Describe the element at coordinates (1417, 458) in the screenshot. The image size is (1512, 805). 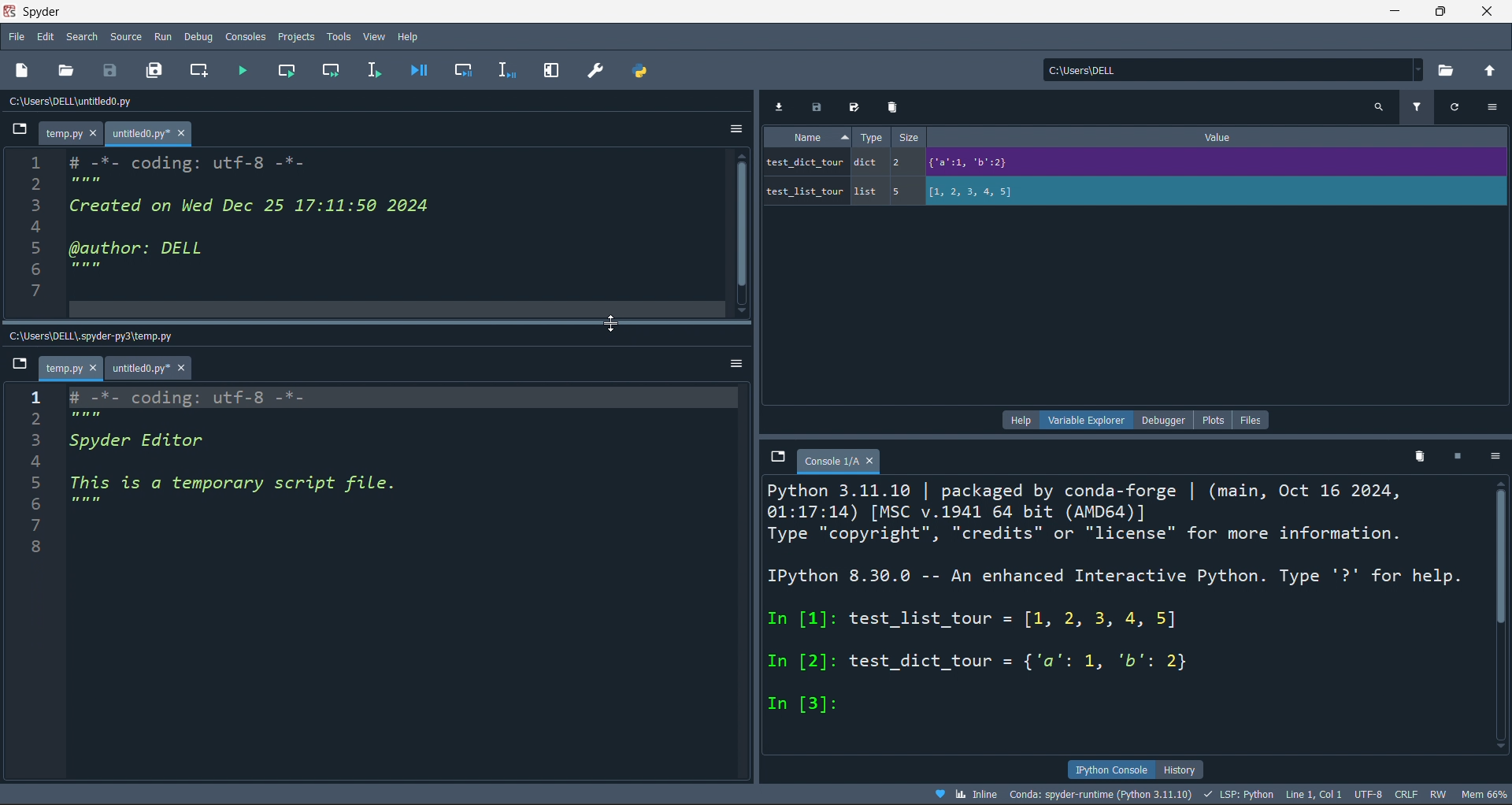
I see `delete` at that location.